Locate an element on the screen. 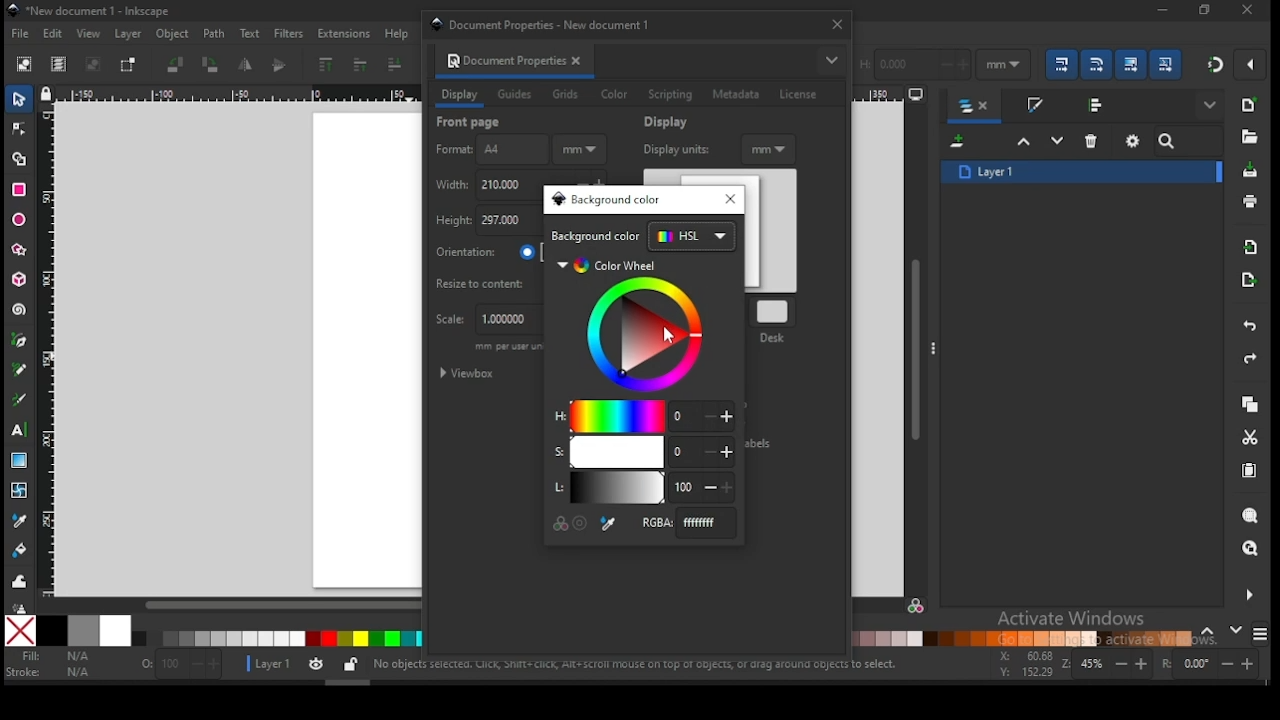  snap options is located at coordinates (1252, 64).